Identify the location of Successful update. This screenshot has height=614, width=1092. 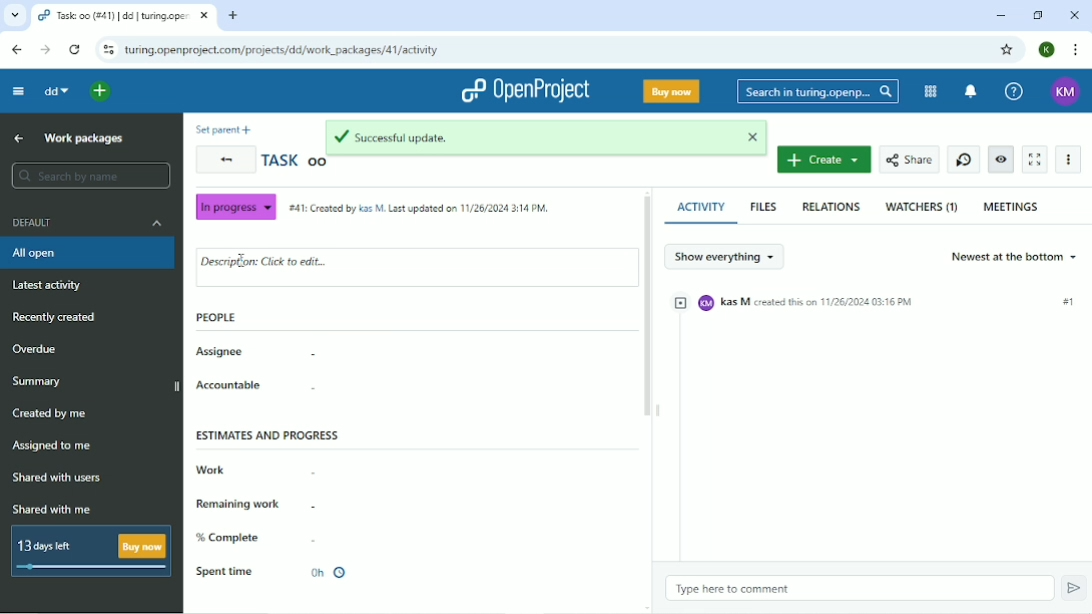
(548, 137).